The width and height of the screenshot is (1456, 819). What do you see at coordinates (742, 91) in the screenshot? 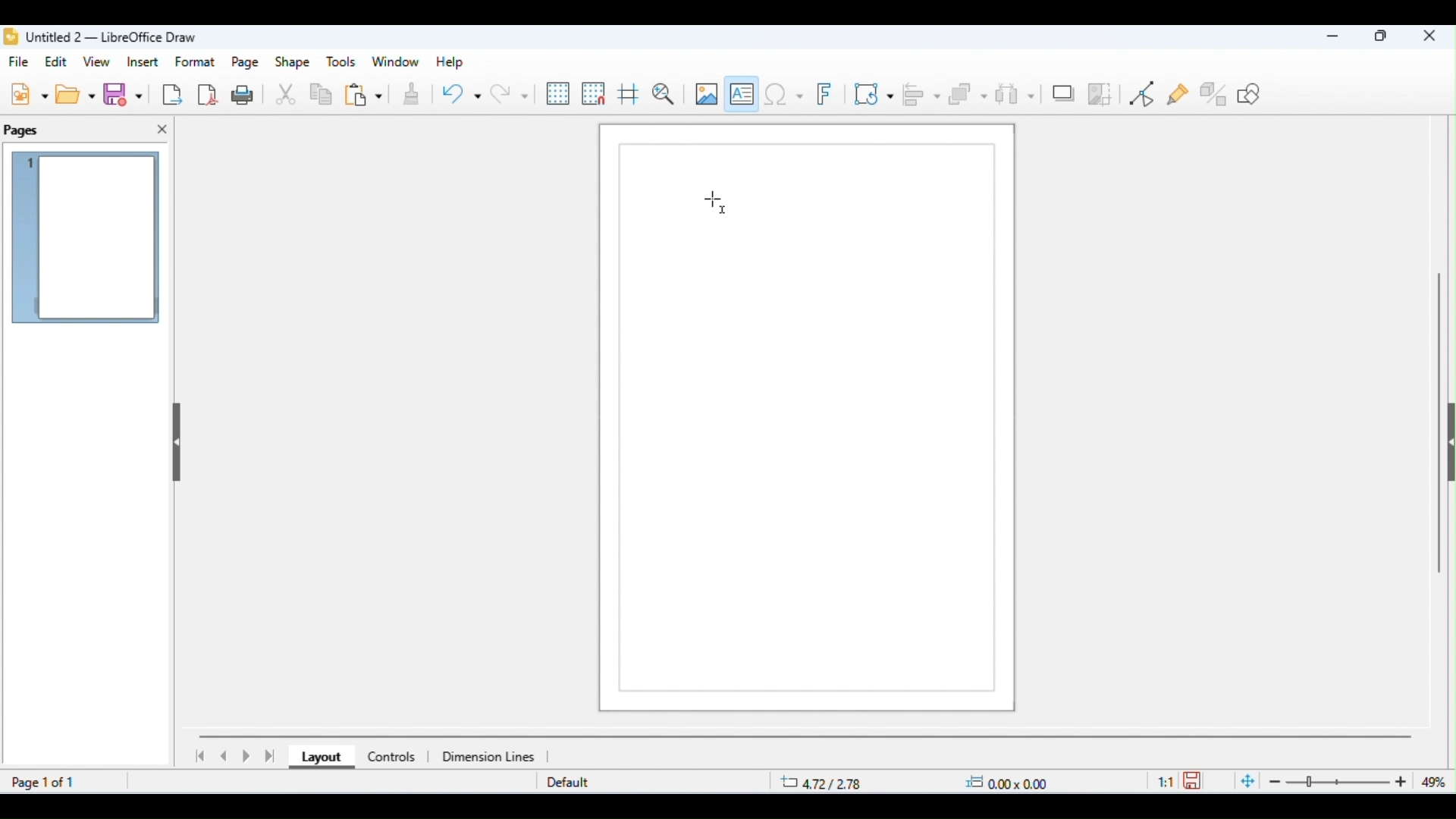
I see `insert text box` at bounding box center [742, 91].